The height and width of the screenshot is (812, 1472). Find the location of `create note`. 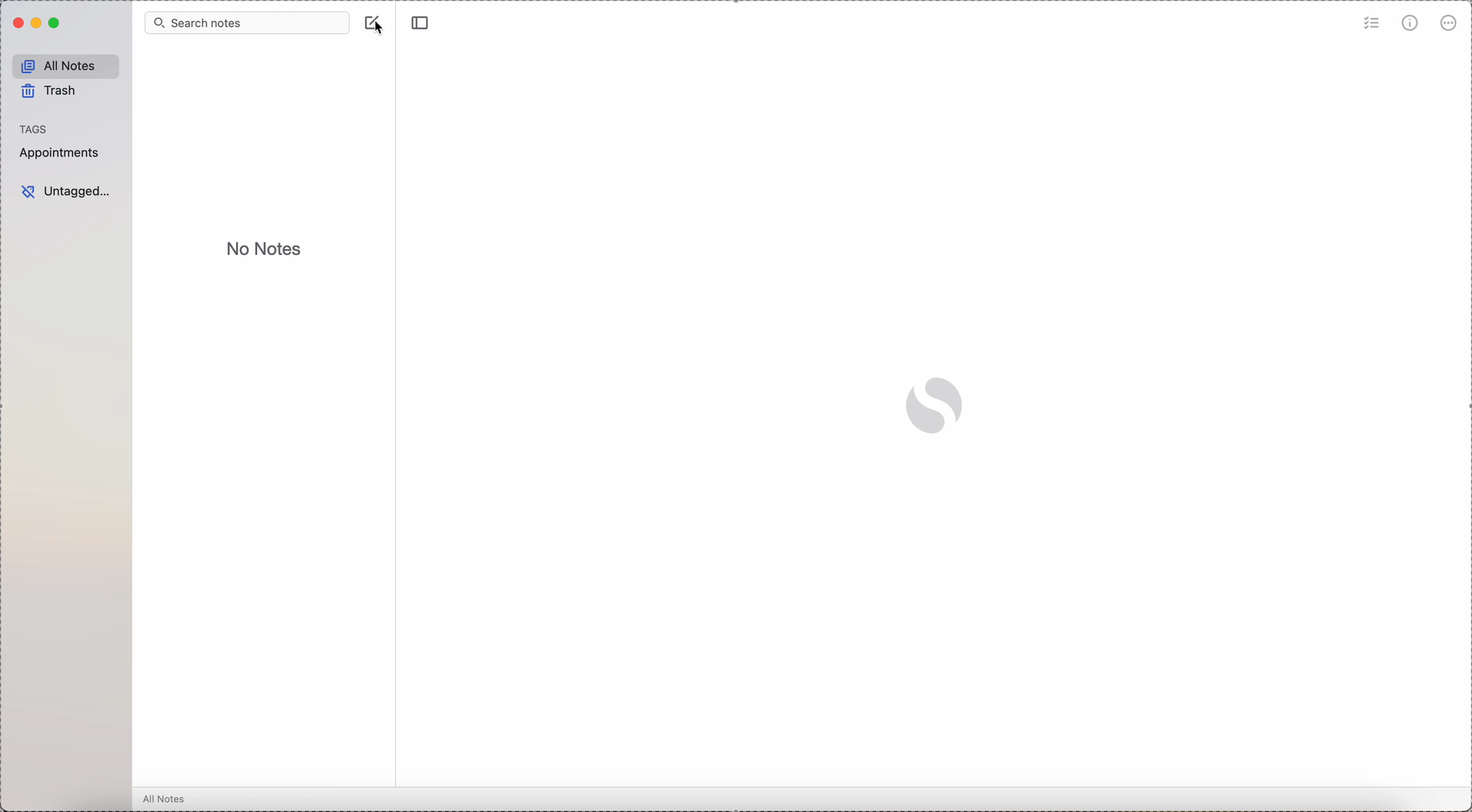

create note is located at coordinates (367, 21).